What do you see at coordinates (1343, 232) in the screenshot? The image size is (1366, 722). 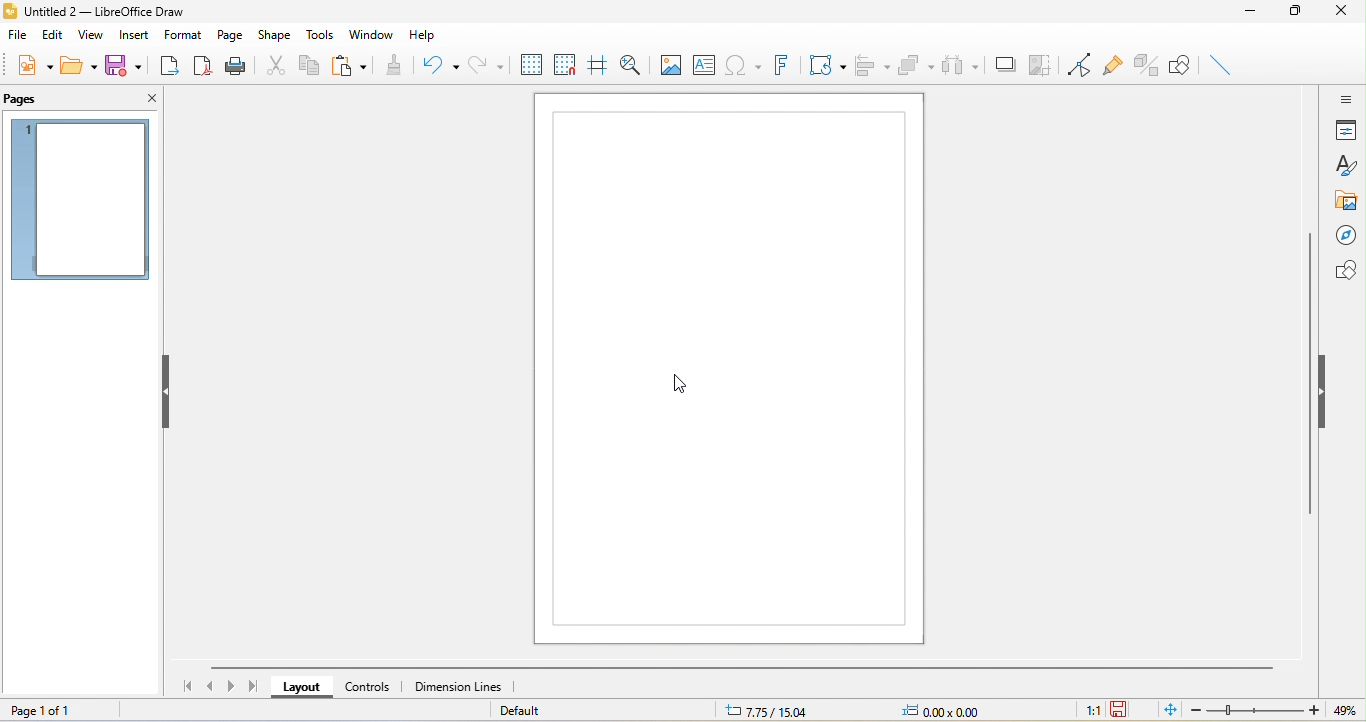 I see `navigator` at bounding box center [1343, 232].